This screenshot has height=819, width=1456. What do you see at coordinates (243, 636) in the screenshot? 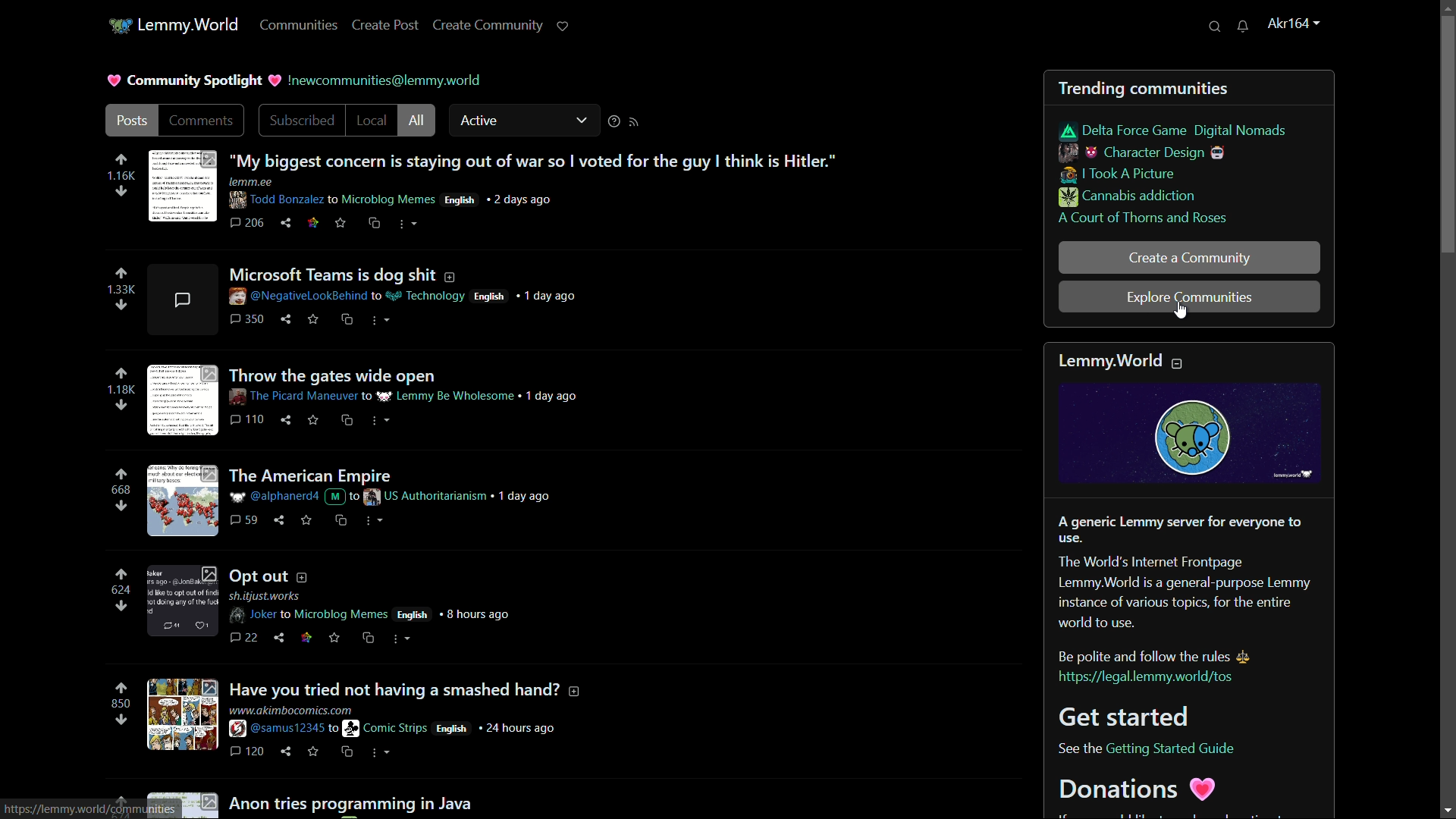
I see `comments` at bounding box center [243, 636].